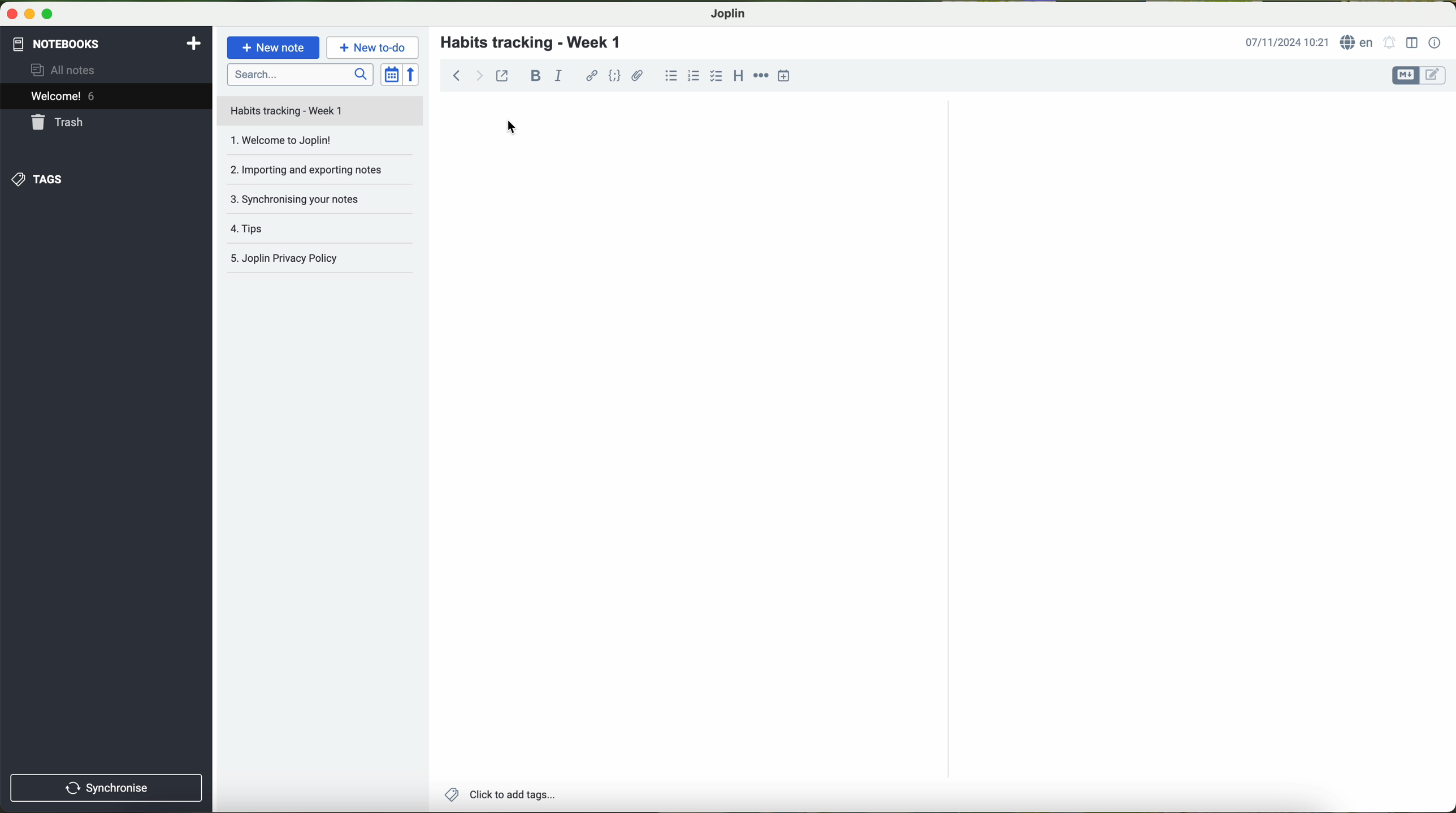 Image resolution: width=1456 pixels, height=813 pixels. Describe the element at coordinates (497, 795) in the screenshot. I see `add tags` at that location.